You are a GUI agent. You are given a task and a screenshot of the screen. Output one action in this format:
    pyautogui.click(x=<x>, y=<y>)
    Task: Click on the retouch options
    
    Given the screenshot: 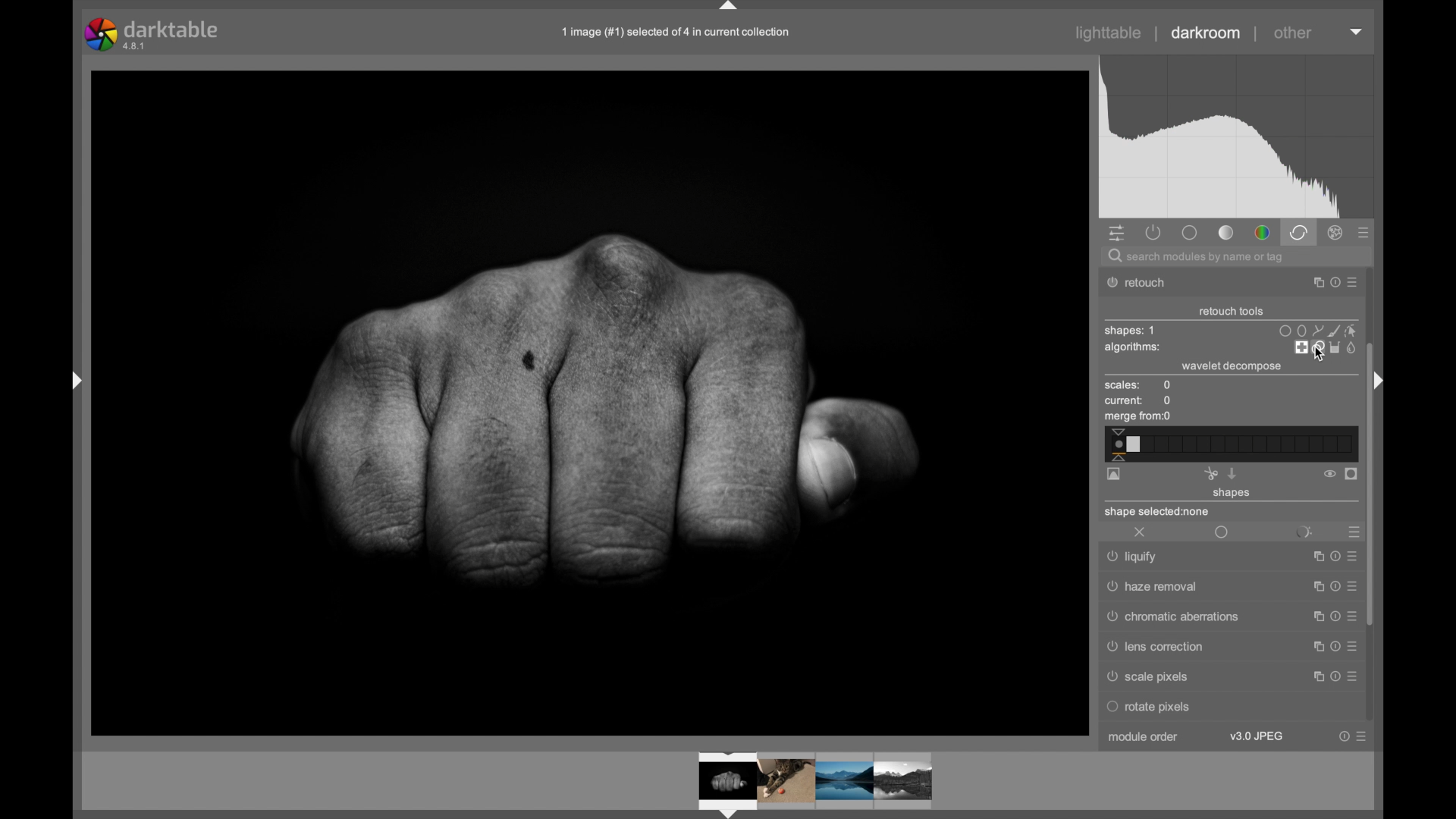 What is the action you would take?
    pyautogui.click(x=1324, y=348)
    